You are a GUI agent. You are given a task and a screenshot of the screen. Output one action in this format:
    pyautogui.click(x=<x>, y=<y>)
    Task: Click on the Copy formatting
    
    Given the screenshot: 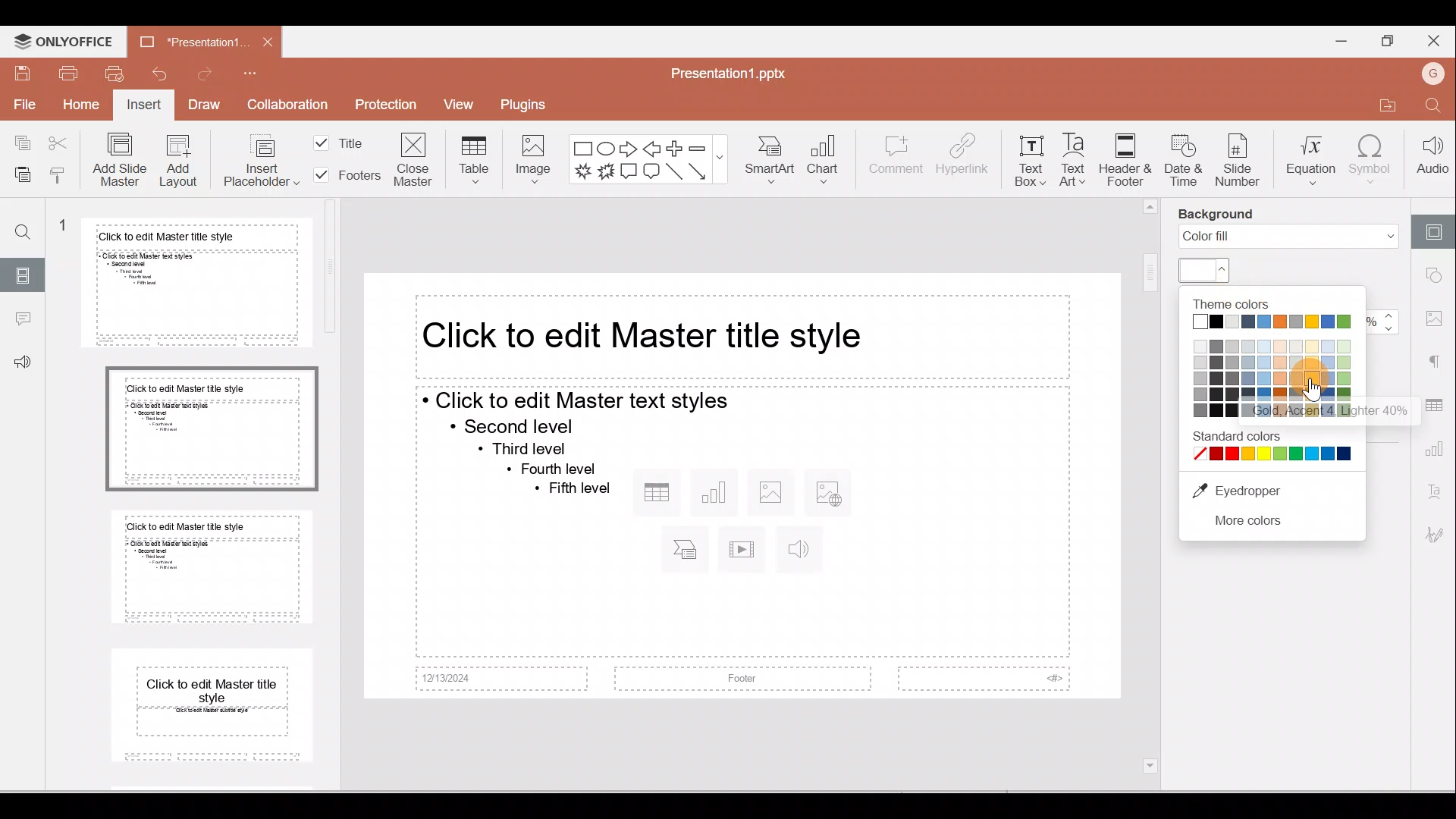 What is the action you would take?
    pyautogui.click(x=58, y=172)
    